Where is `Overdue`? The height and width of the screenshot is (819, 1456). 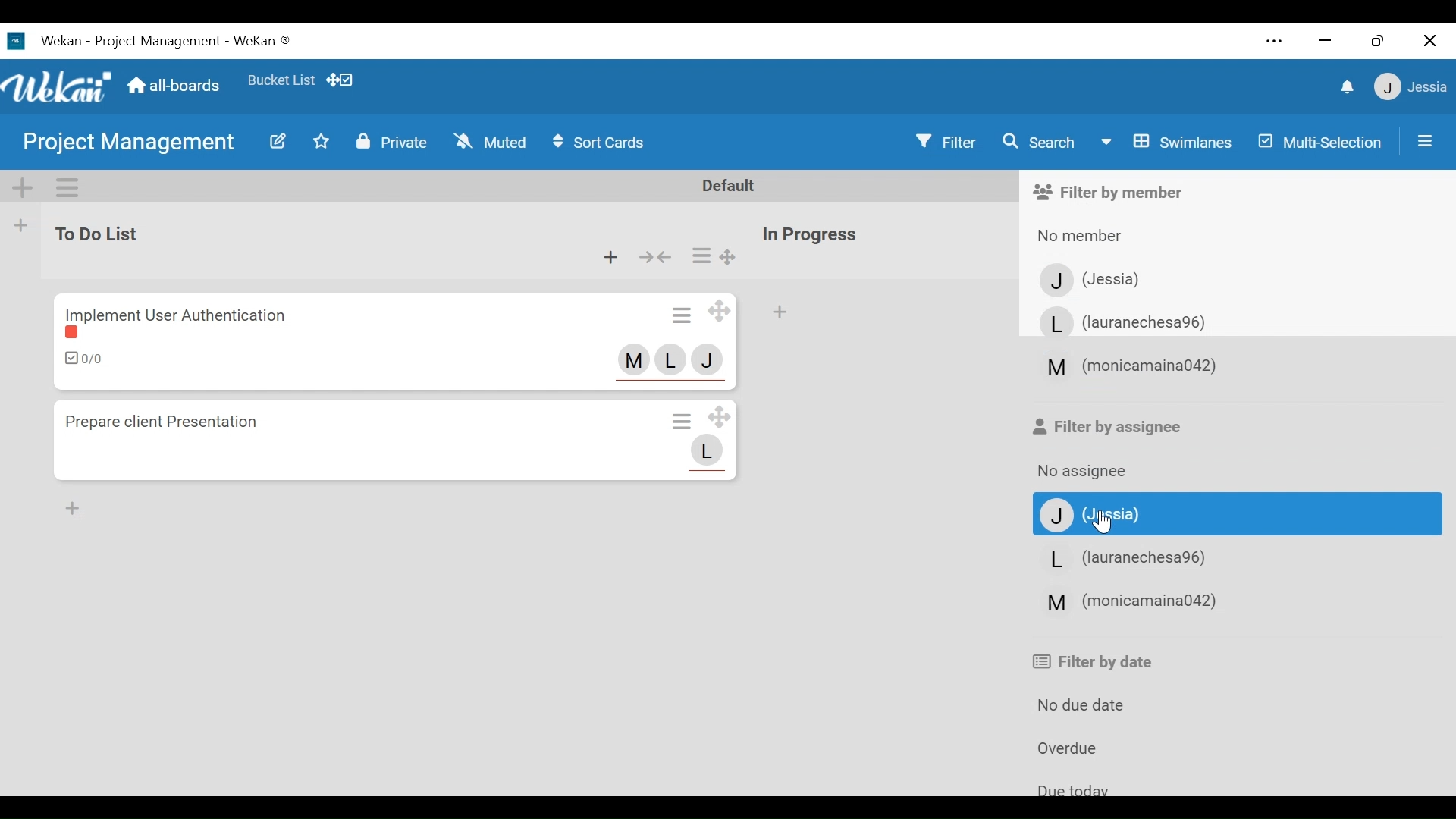
Overdue is located at coordinates (1075, 750).